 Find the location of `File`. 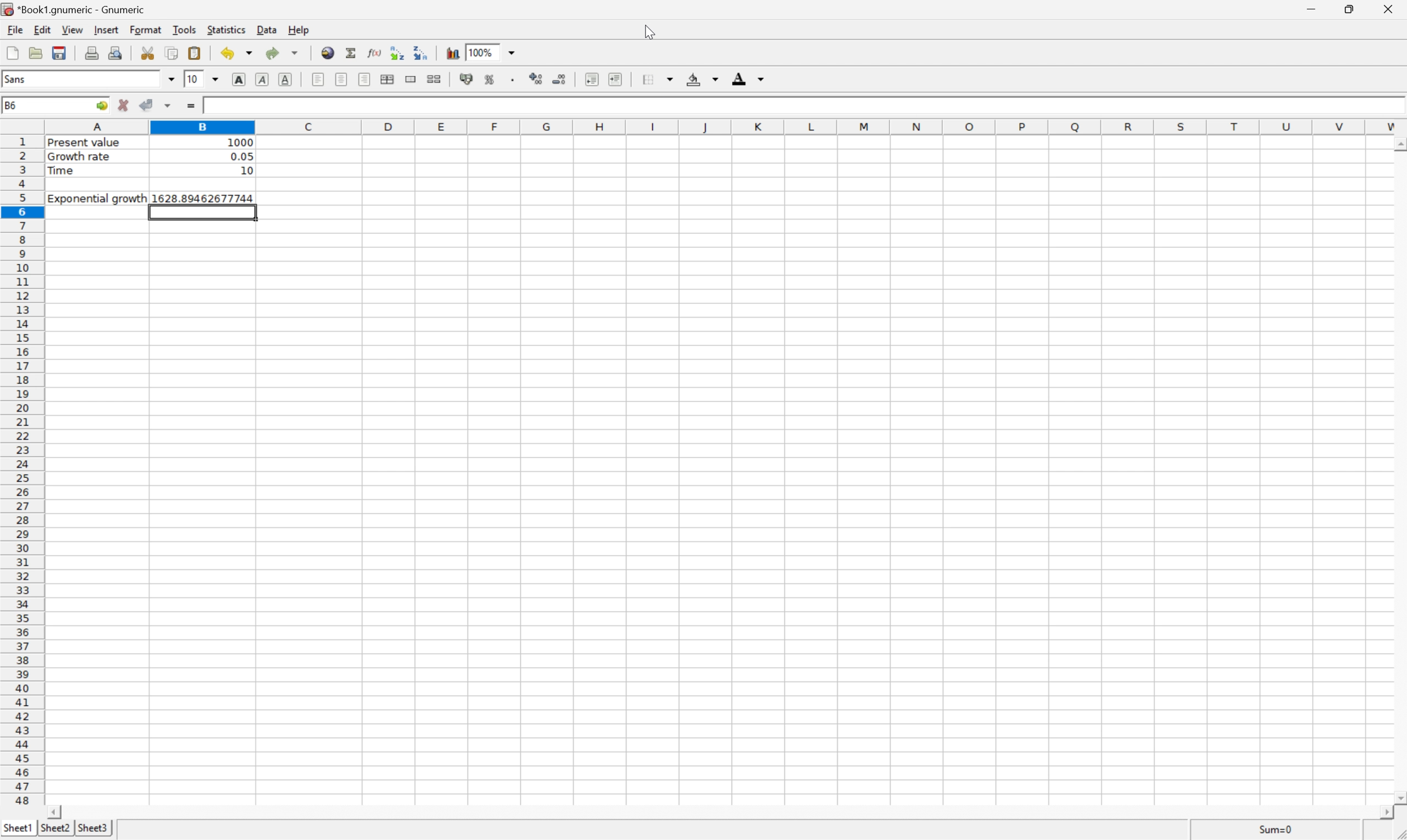

File is located at coordinates (13, 31).